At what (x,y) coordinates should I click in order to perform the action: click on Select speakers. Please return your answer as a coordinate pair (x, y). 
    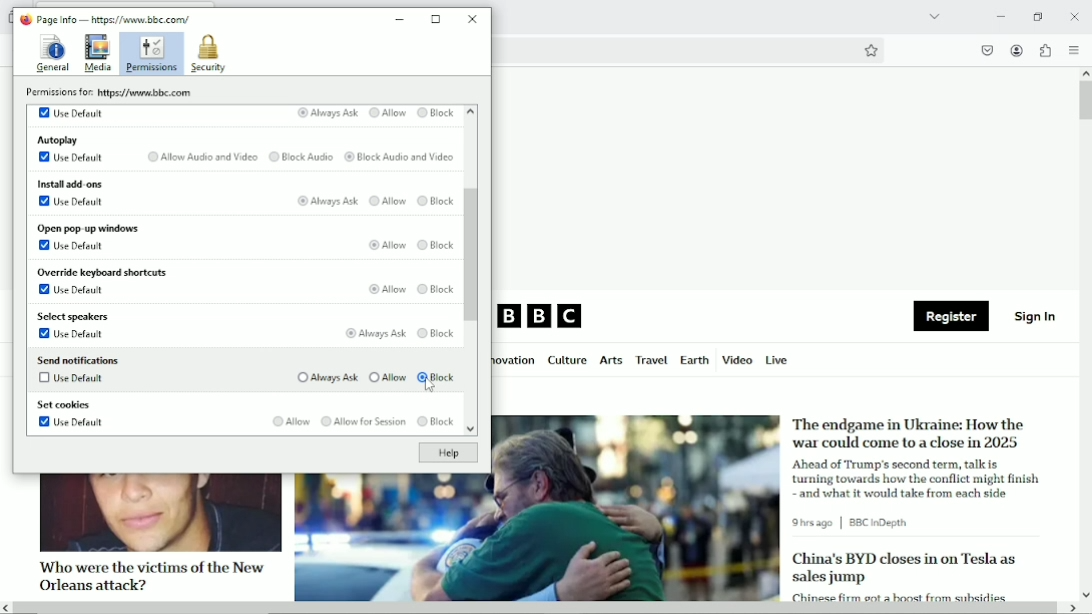
    Looking at the image, I should click on (75, 317).